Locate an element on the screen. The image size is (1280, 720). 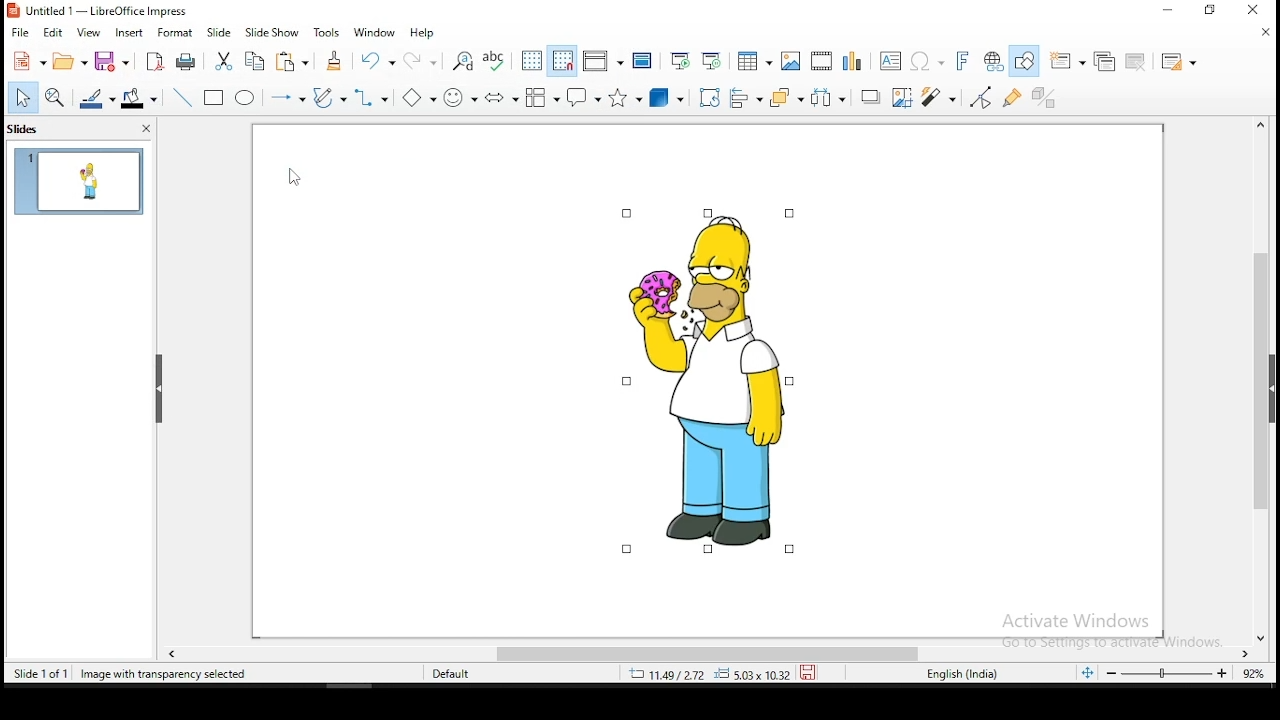
slide show is located at coordinates (219, 33).